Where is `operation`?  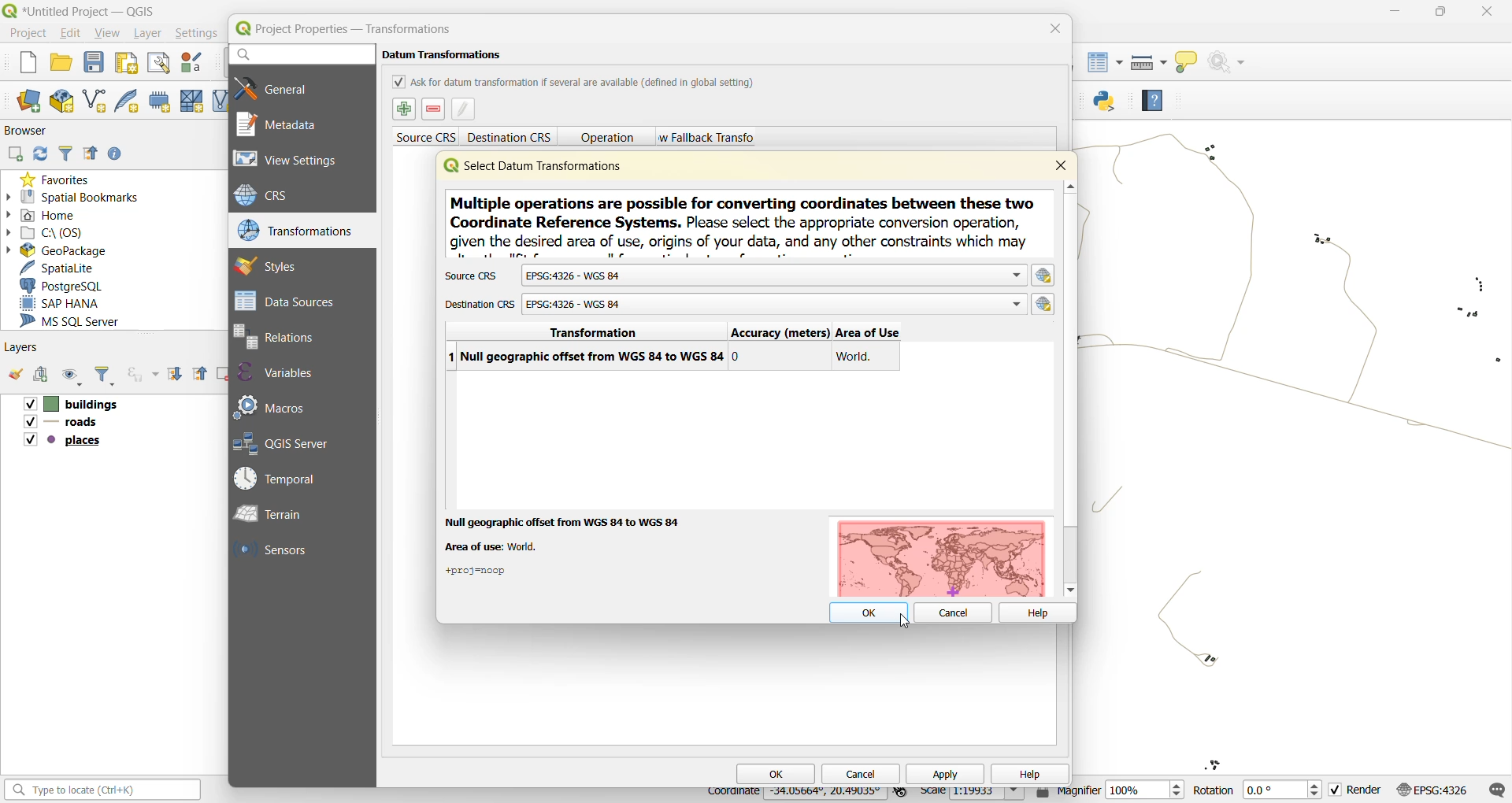 operation is located at coordinates (611, 135).